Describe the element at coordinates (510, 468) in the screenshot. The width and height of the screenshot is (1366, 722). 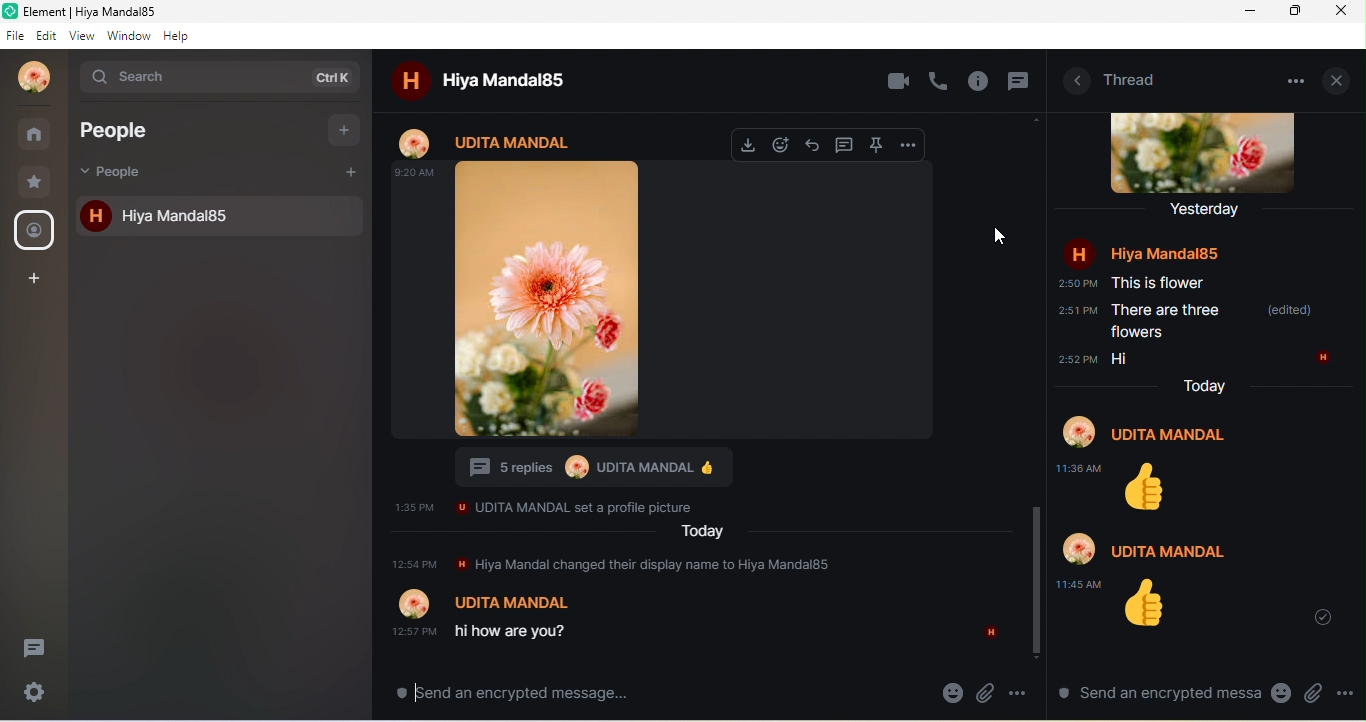
I see `5 replies` at that location.